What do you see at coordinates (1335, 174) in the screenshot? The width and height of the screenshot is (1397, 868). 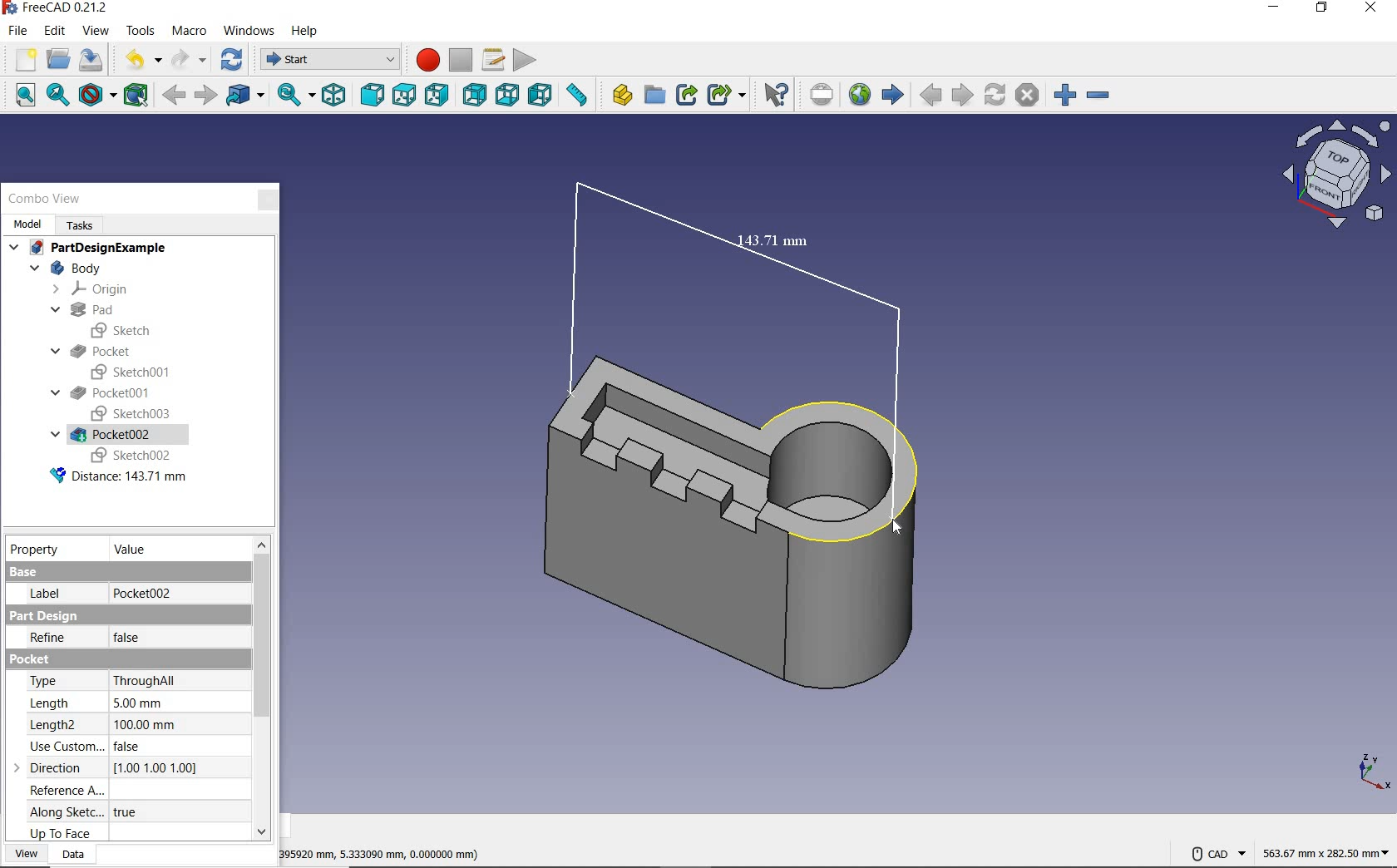 I see `workbench view` at bounding box center [1335, 174].